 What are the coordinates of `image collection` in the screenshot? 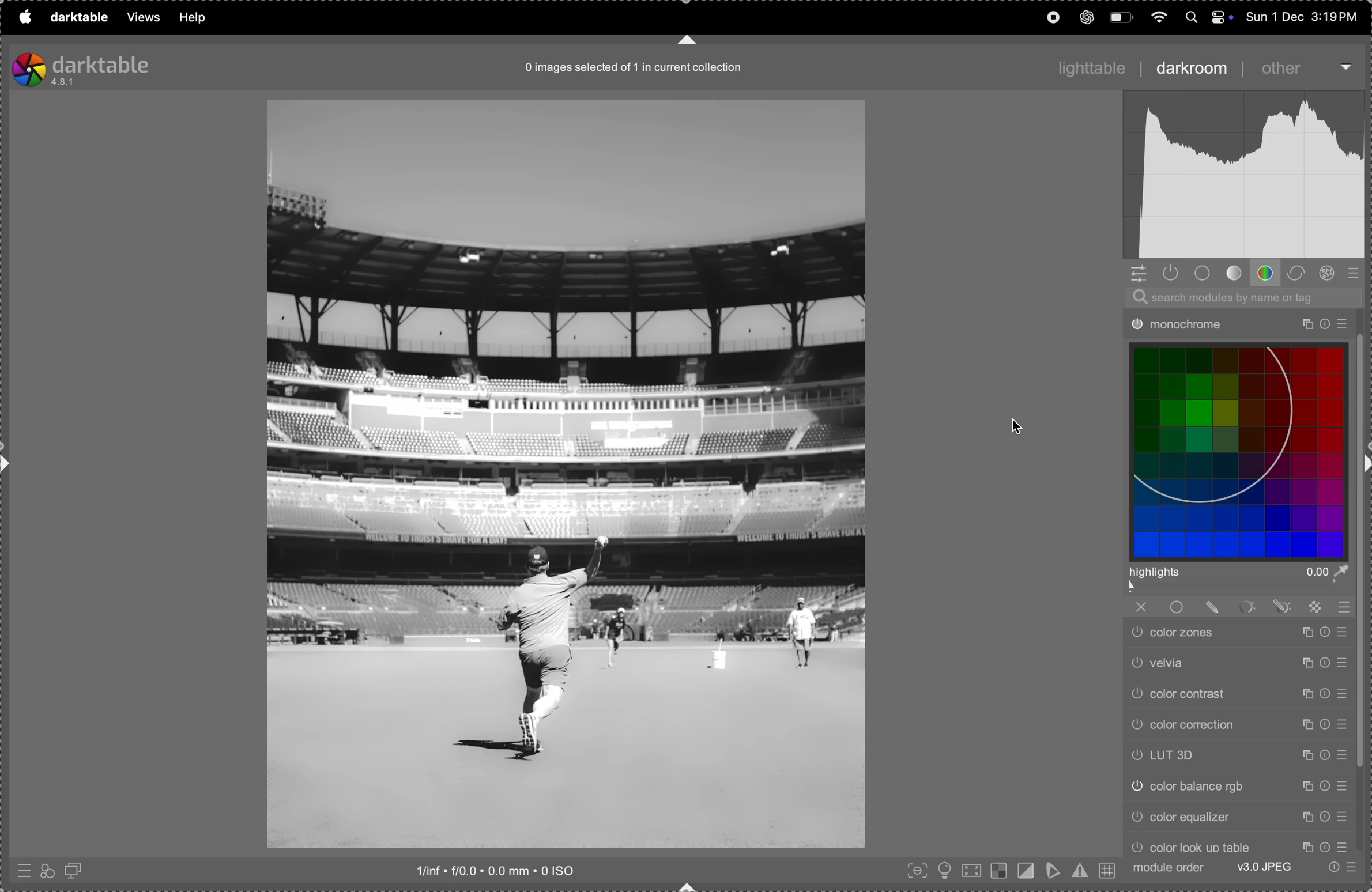 It's located at (627, 71).